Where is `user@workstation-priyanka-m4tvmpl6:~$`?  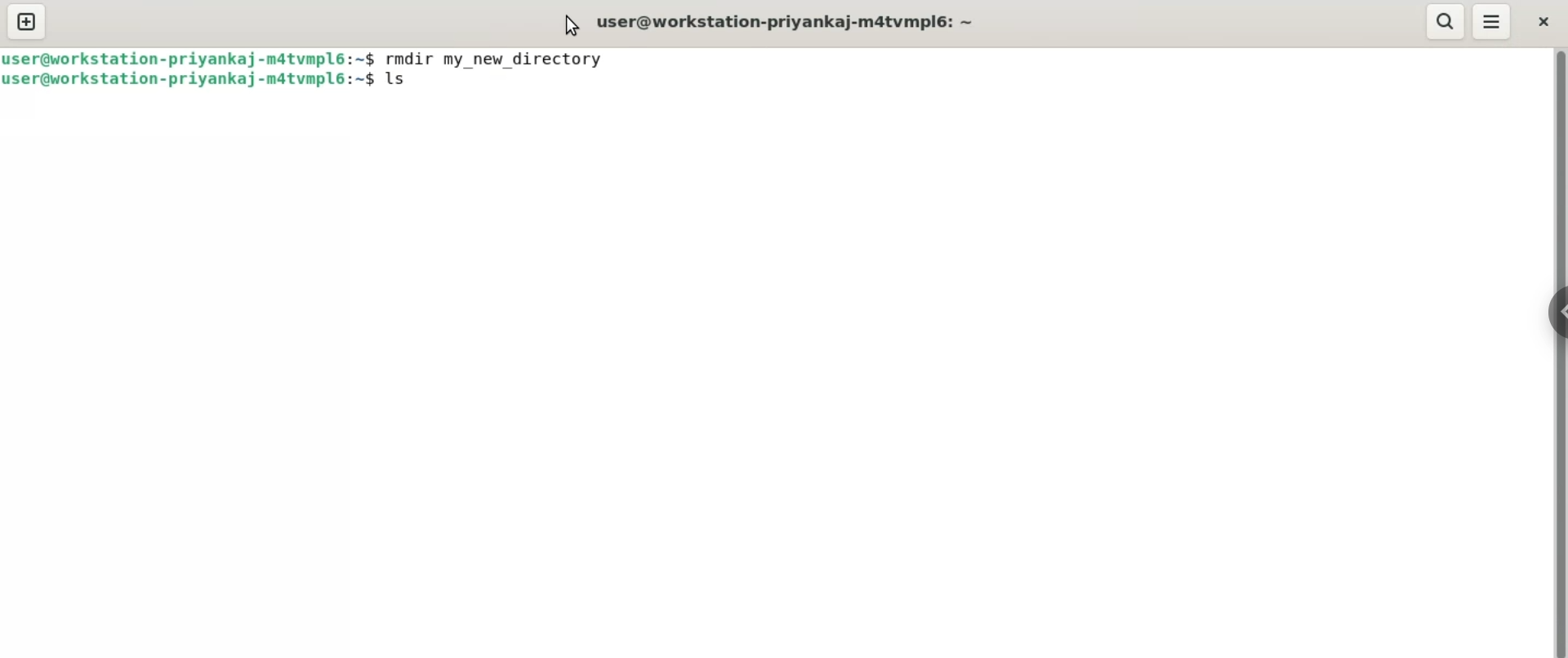
user@workstation-priyanka-m4tvmpl6:~$ is located at coordinates (188, 82).